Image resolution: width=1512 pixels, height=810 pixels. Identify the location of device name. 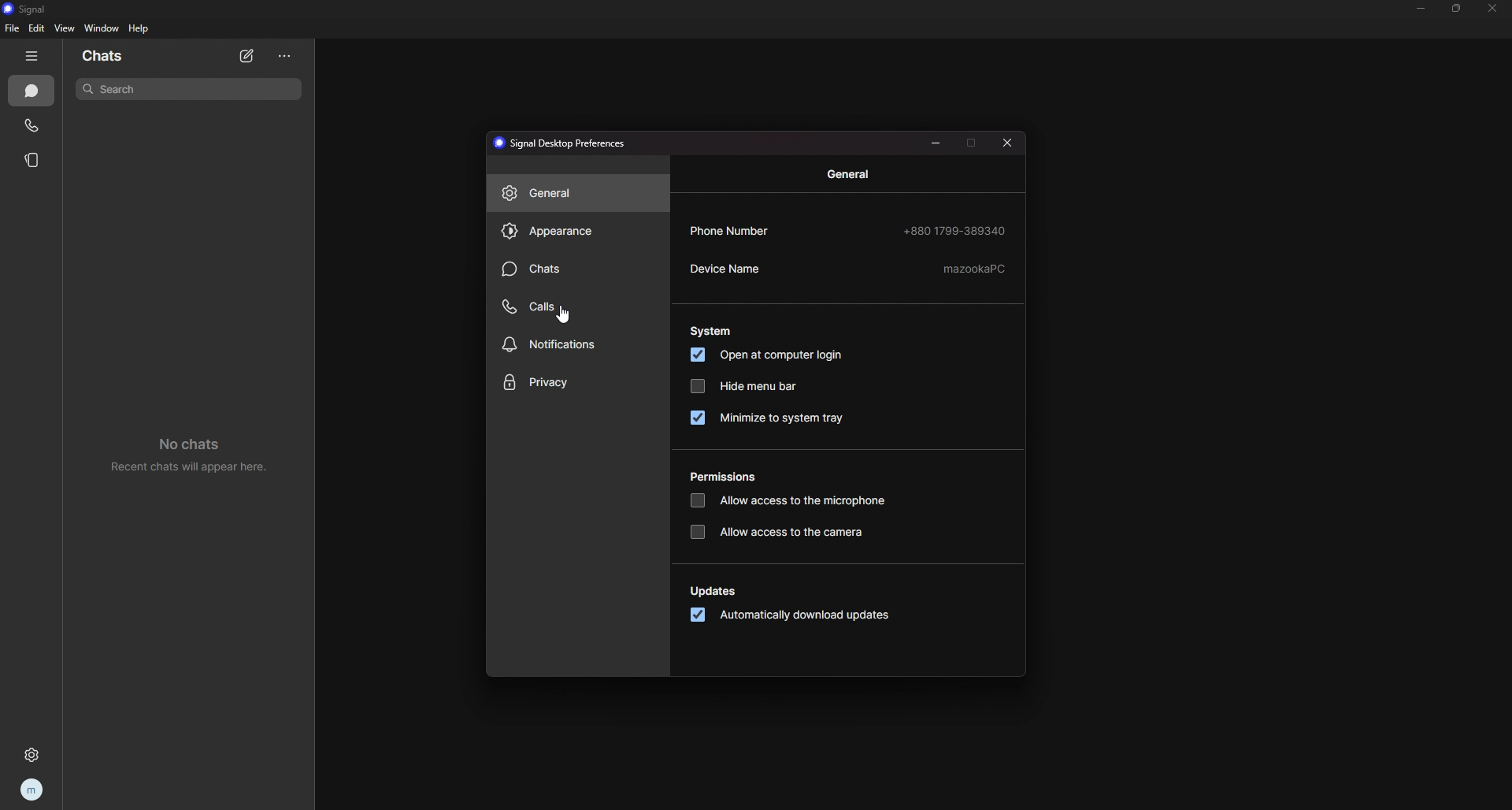
(849, 269).